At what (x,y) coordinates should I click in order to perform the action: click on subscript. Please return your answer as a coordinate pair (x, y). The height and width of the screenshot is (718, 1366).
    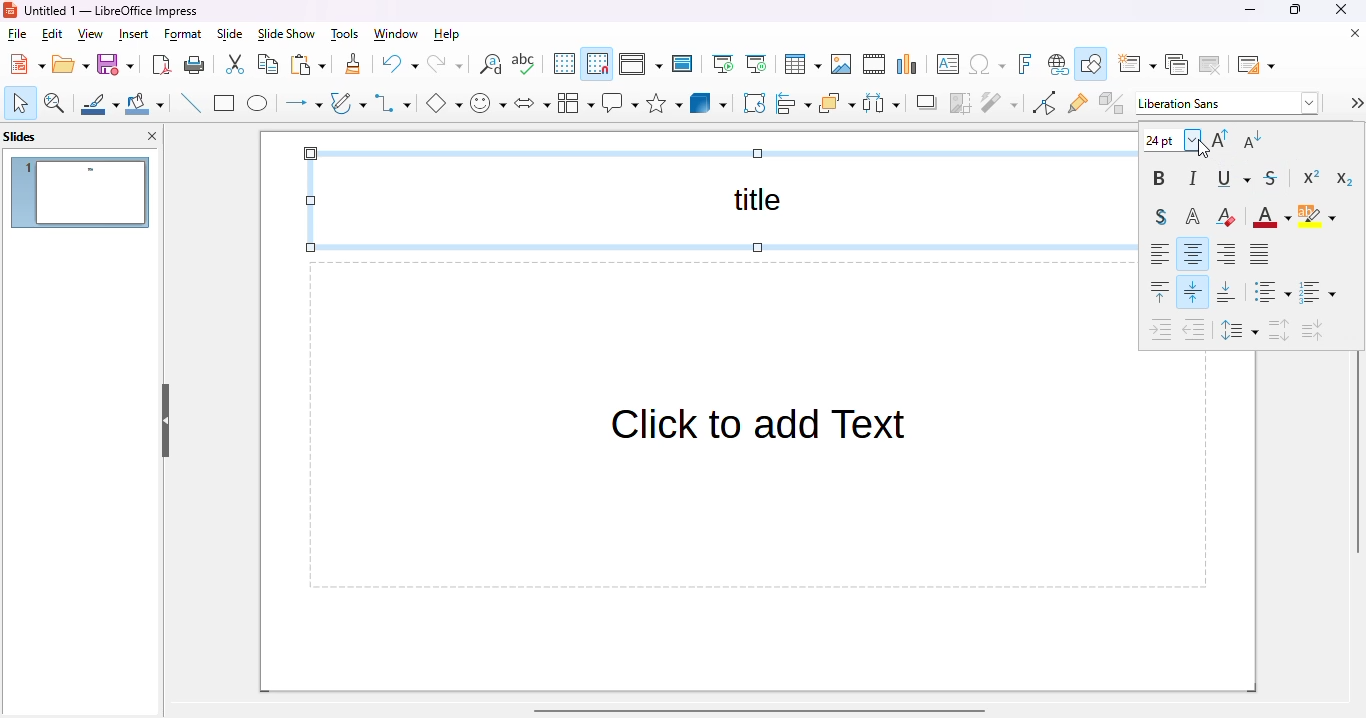
    Looking at the image, I should click on (1344, 178).